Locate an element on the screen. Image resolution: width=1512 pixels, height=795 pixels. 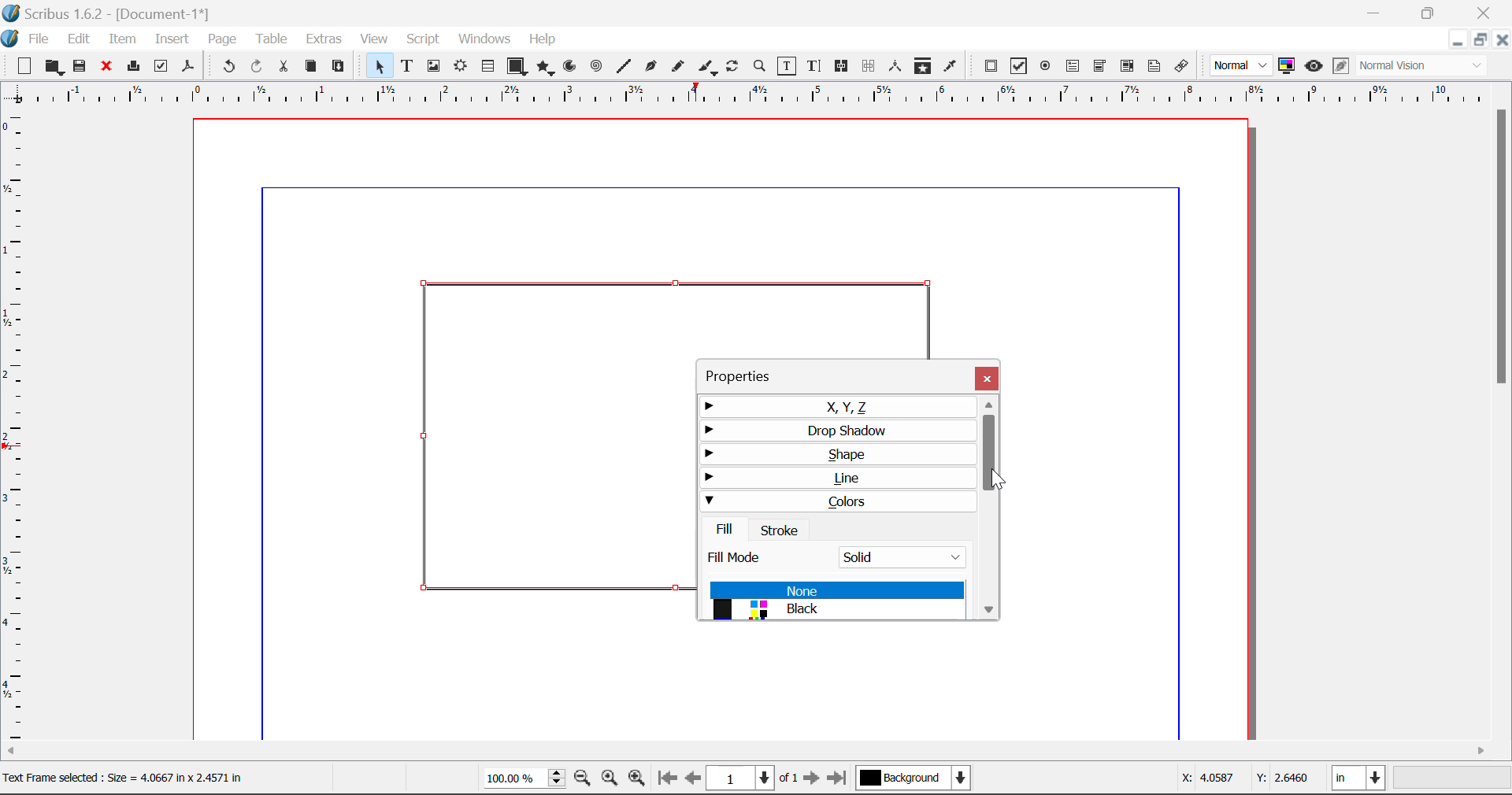
Edit in Preview Mode is located at coordinates (1340, 68).